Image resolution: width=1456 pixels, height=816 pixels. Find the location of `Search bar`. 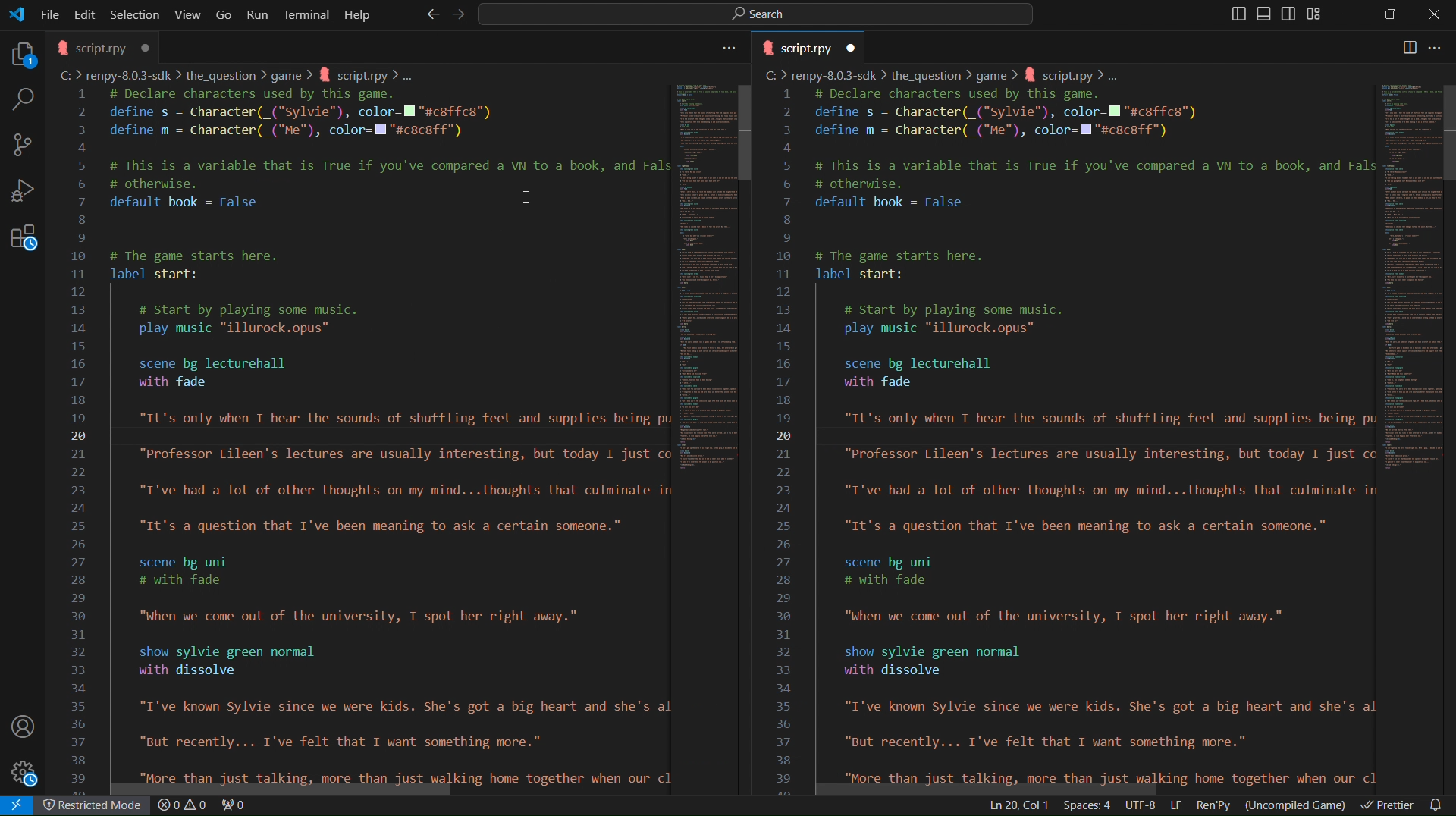

Search bar is located at coordinates (752, 14).